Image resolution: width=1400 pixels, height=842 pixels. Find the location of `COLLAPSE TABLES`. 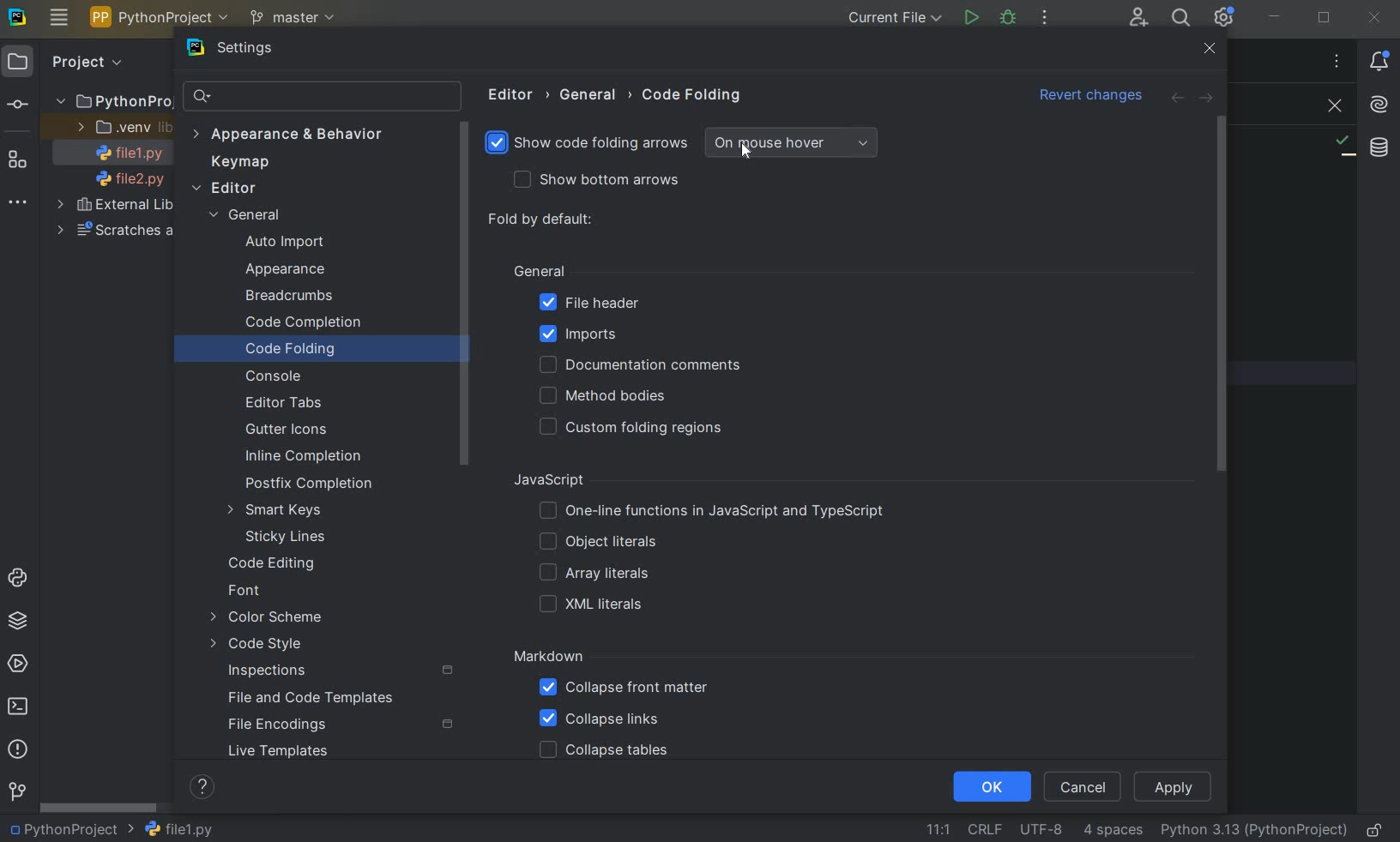

COLLAPSE TABLES is located at coordinates (603, 751).